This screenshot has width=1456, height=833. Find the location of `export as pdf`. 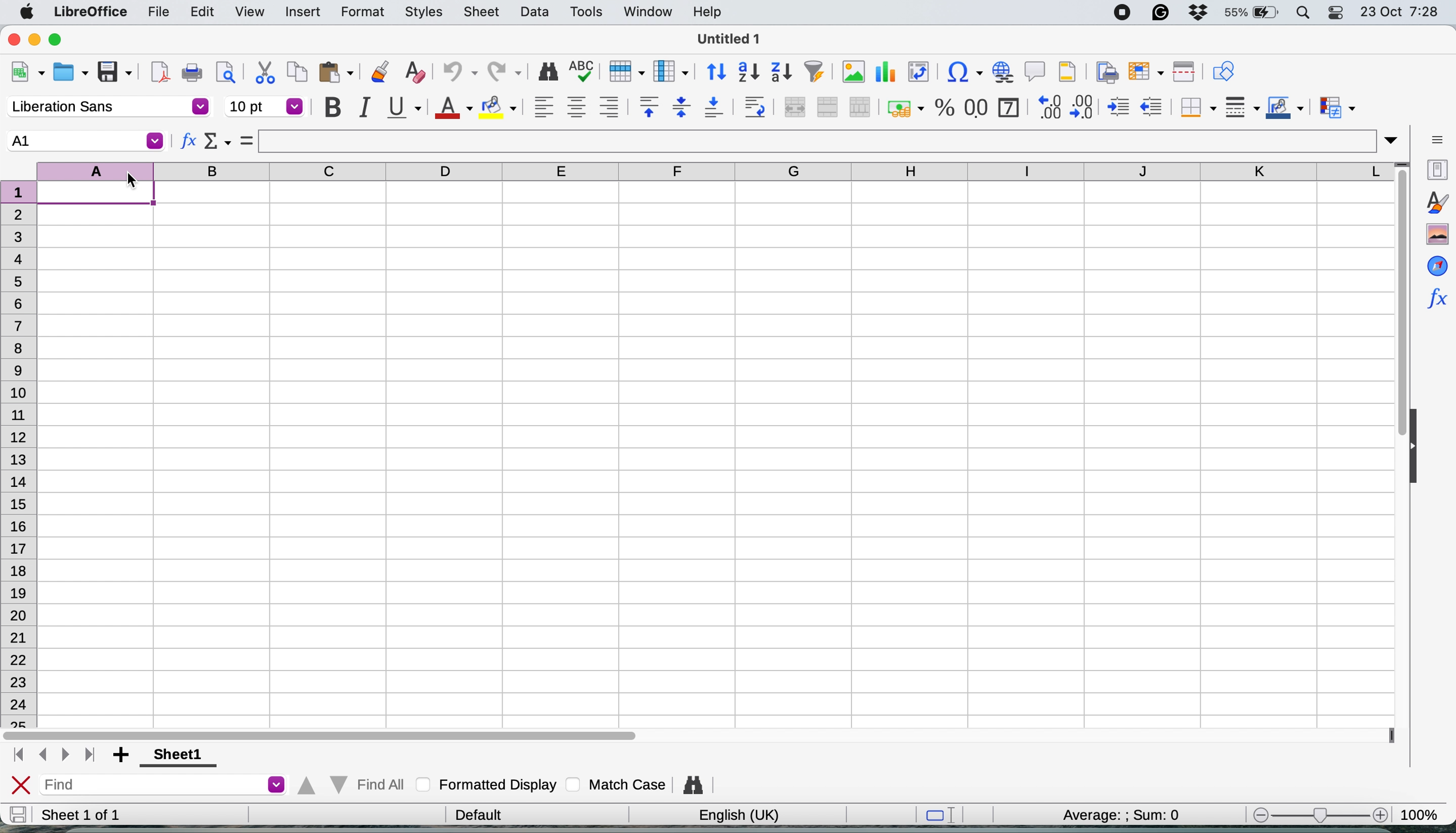

export as pdf is located at coordinates (161, 74).